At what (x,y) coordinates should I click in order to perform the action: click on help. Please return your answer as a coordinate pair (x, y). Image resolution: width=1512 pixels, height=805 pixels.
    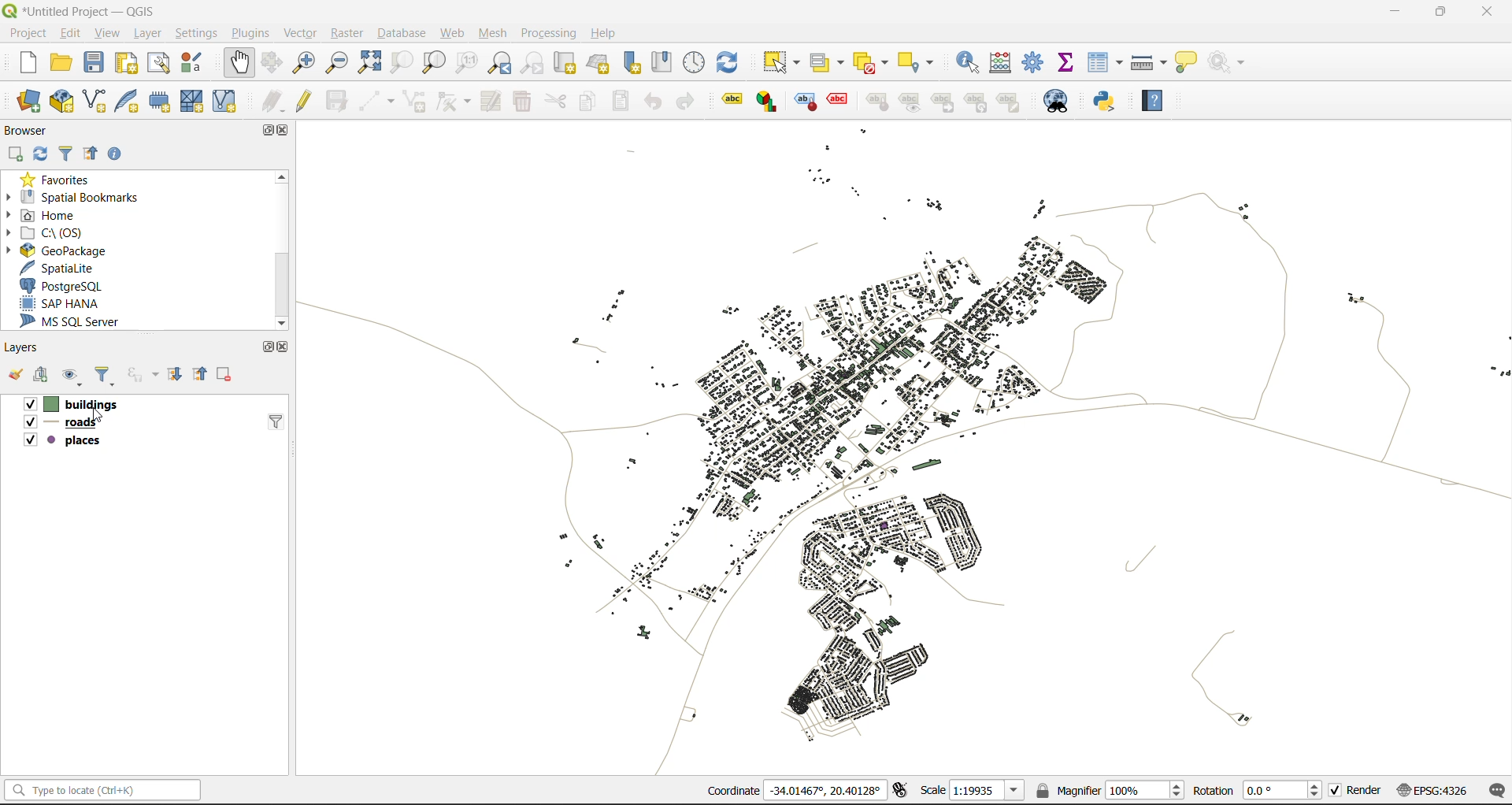
    Looking at the image, I should click on (603, 32).